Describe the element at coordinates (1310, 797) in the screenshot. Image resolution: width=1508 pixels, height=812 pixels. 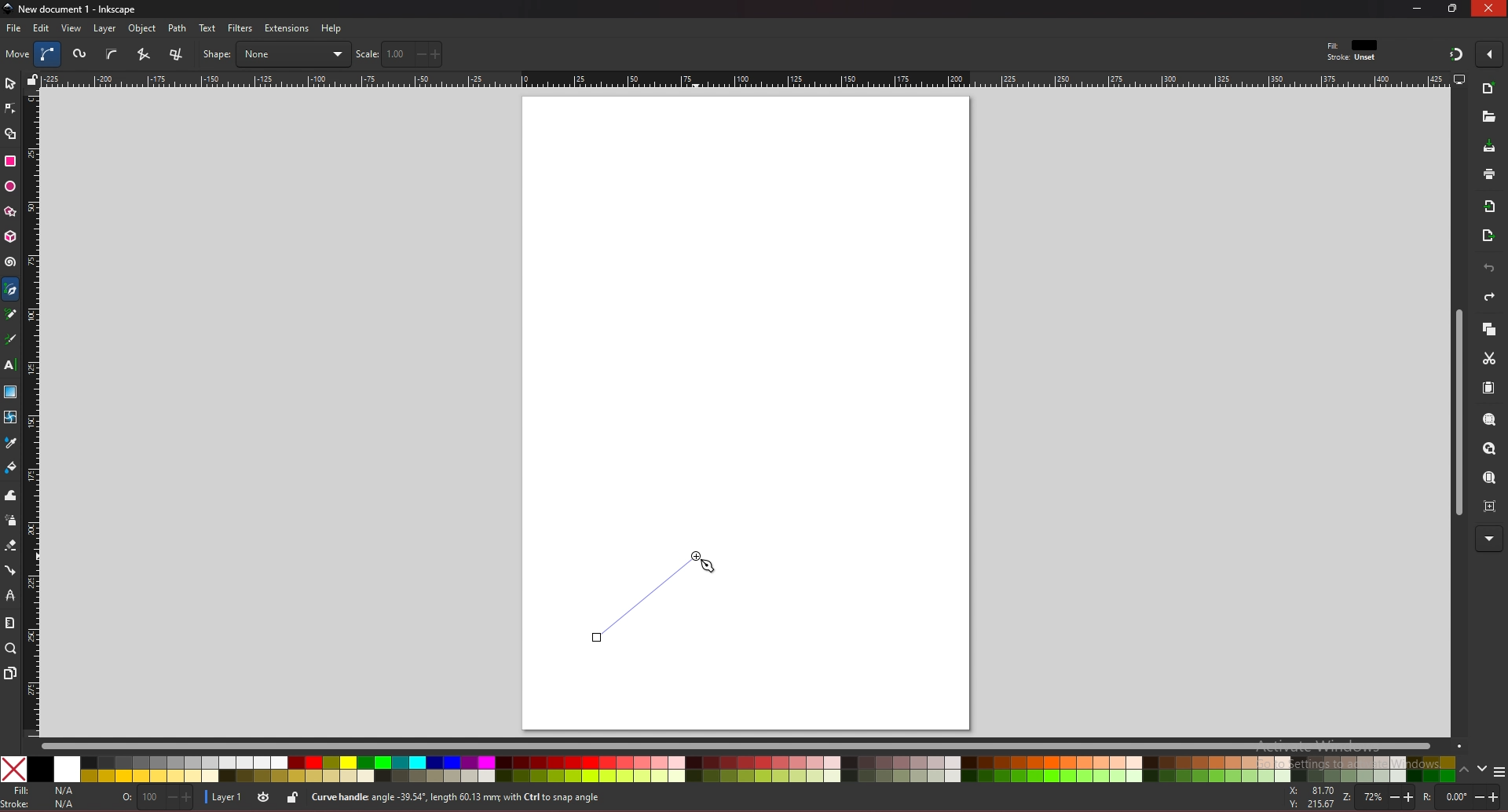
I see `x and y coordinates` at that location.